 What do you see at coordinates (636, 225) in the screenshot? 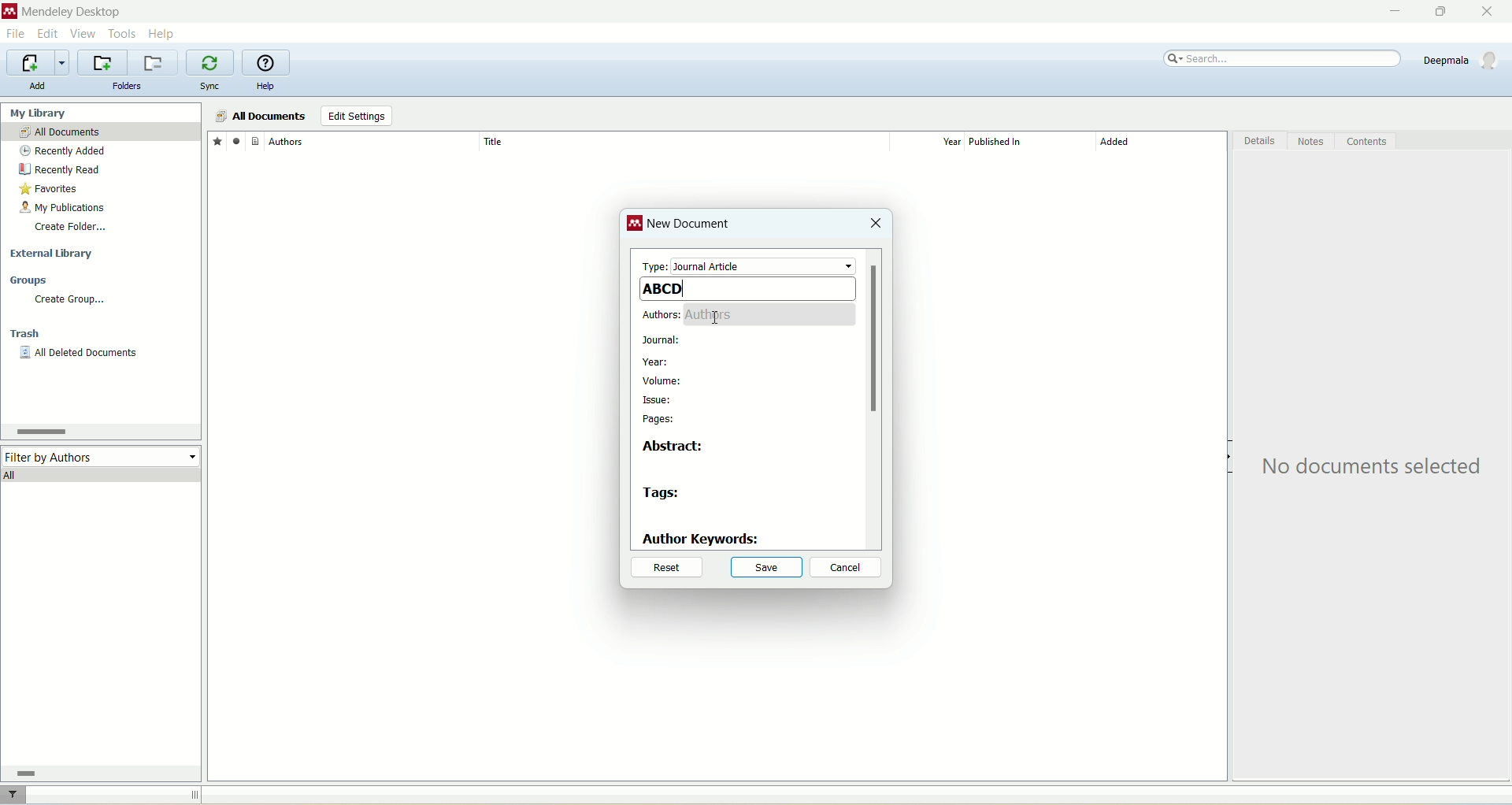
I see `logo` at bounding box center [636, 225].